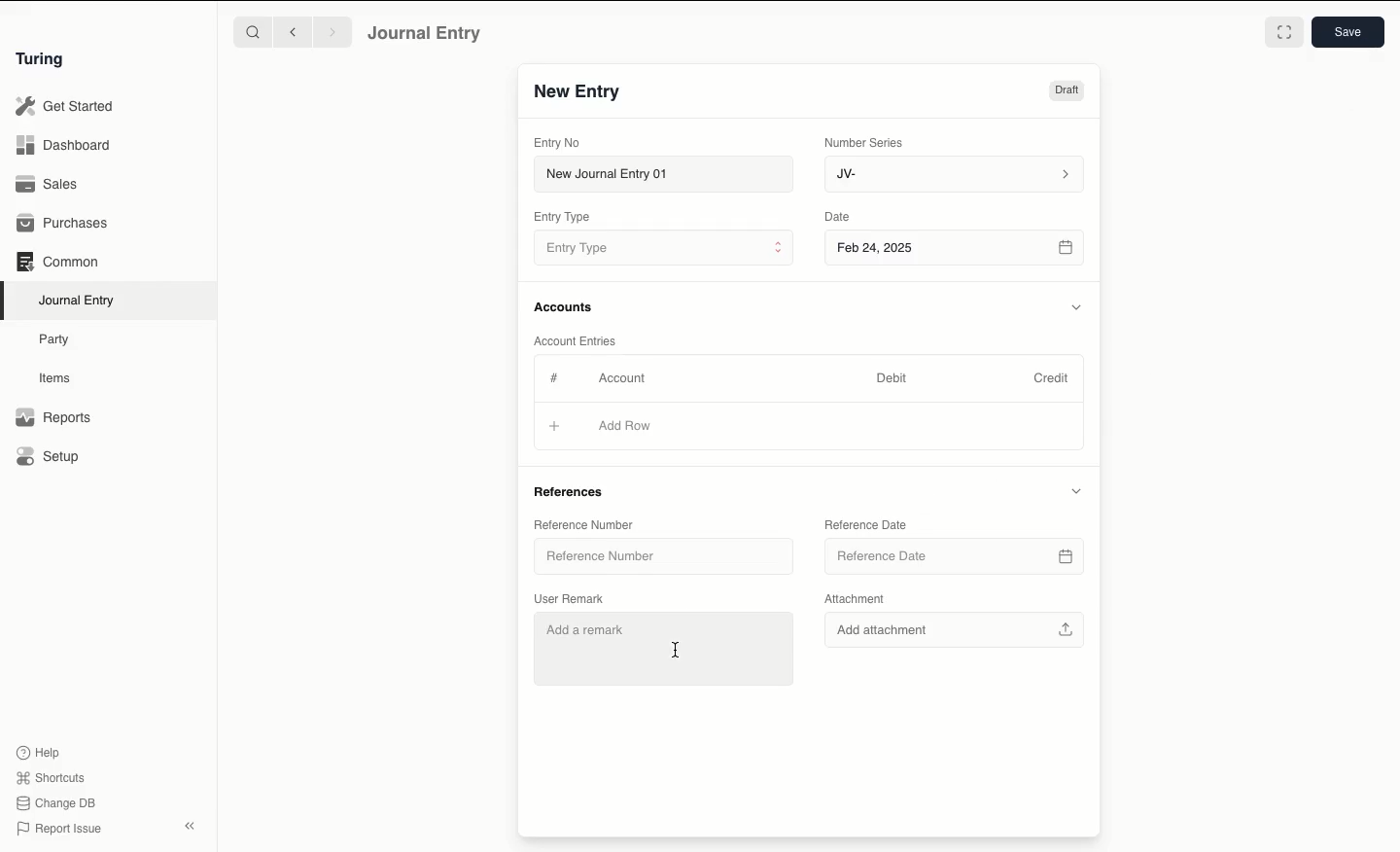  What do you see at coordinates (556, 377) in the screenshot?
I see `Hashtag` at bounding box center [556, 377].